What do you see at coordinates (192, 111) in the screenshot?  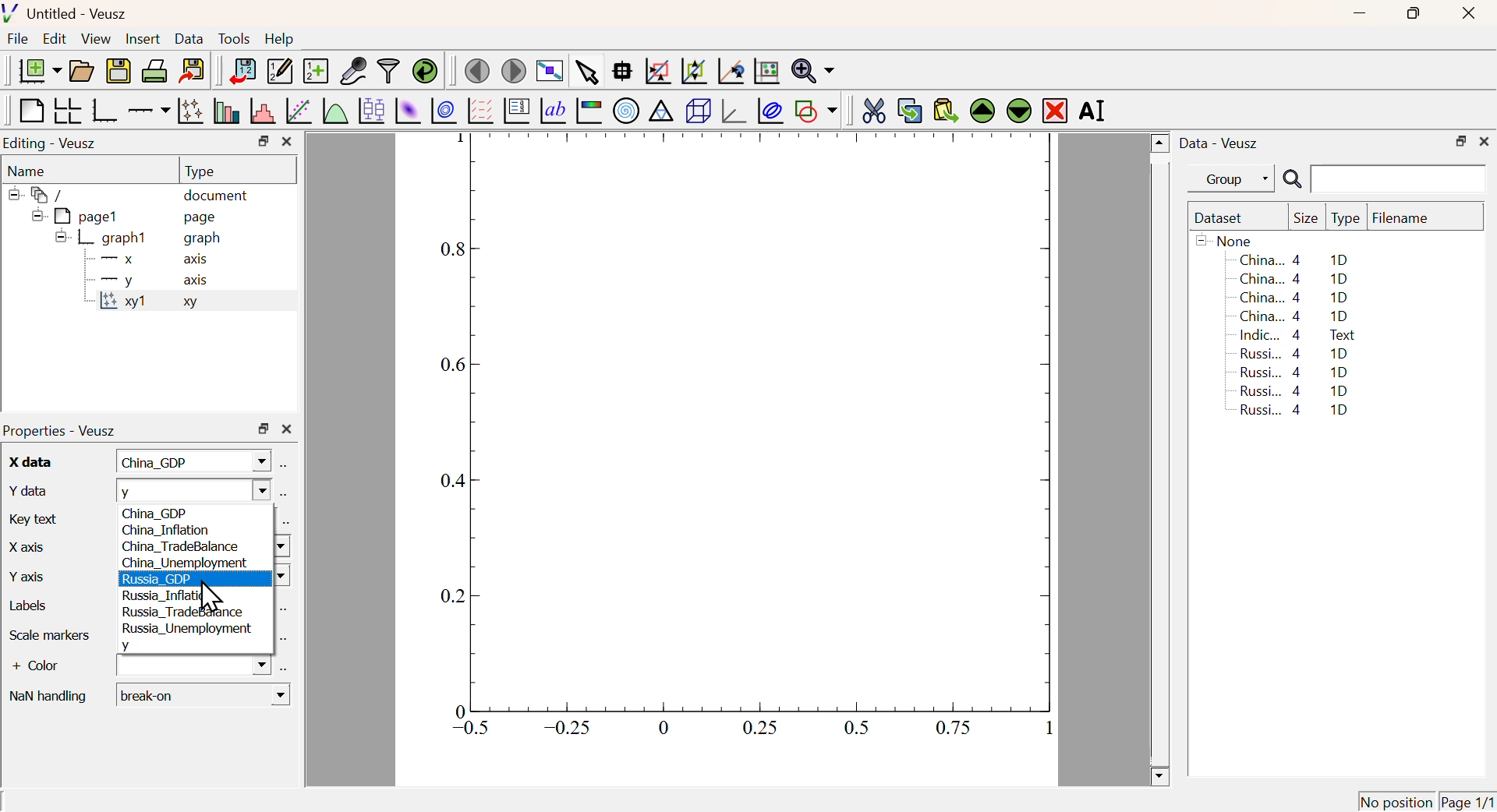 I see `Plot points with lines and errorbars` at bounding box center [192, 111].